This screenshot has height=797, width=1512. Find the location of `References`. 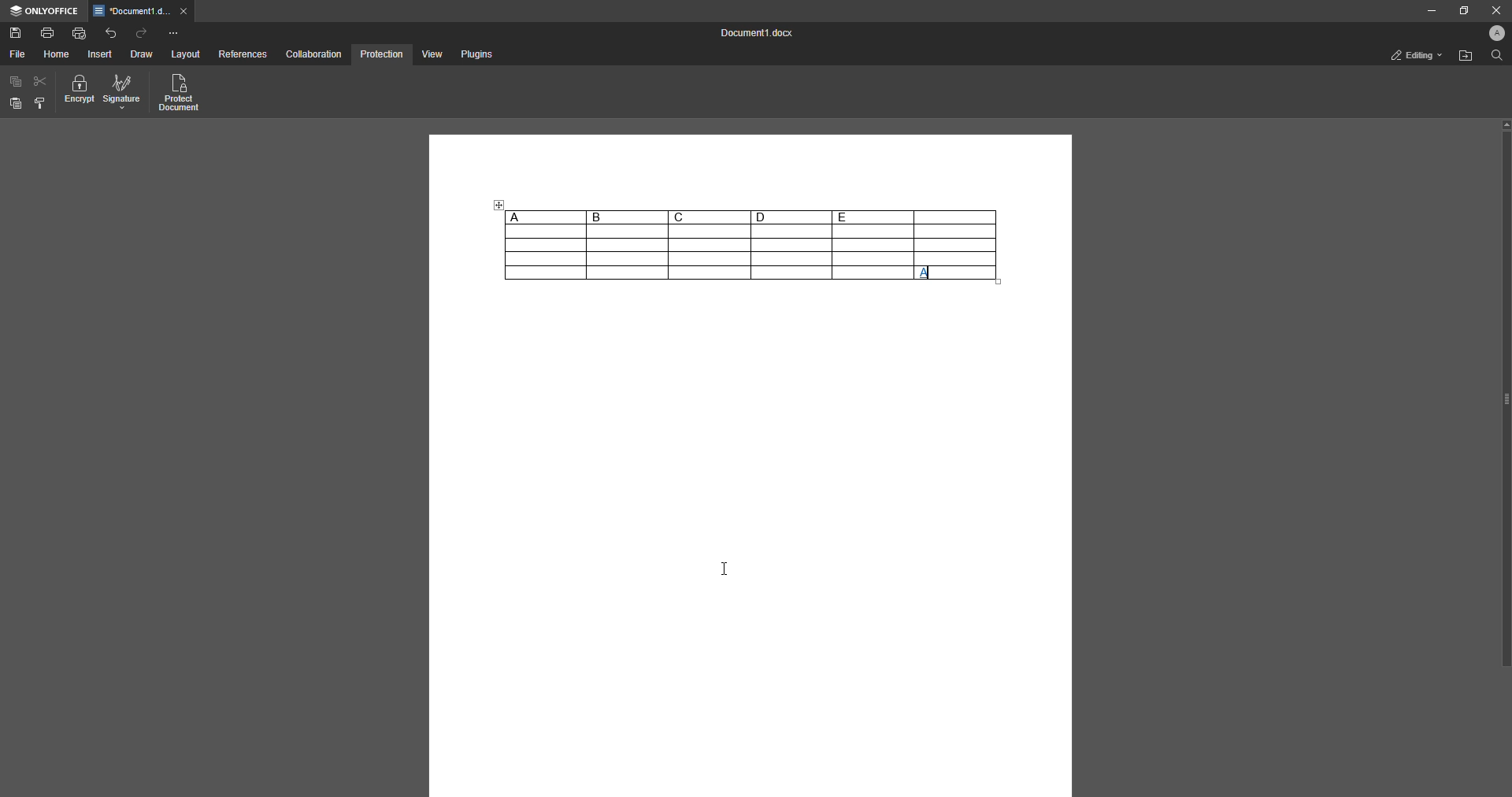

References is located at coordinates (242, 55).